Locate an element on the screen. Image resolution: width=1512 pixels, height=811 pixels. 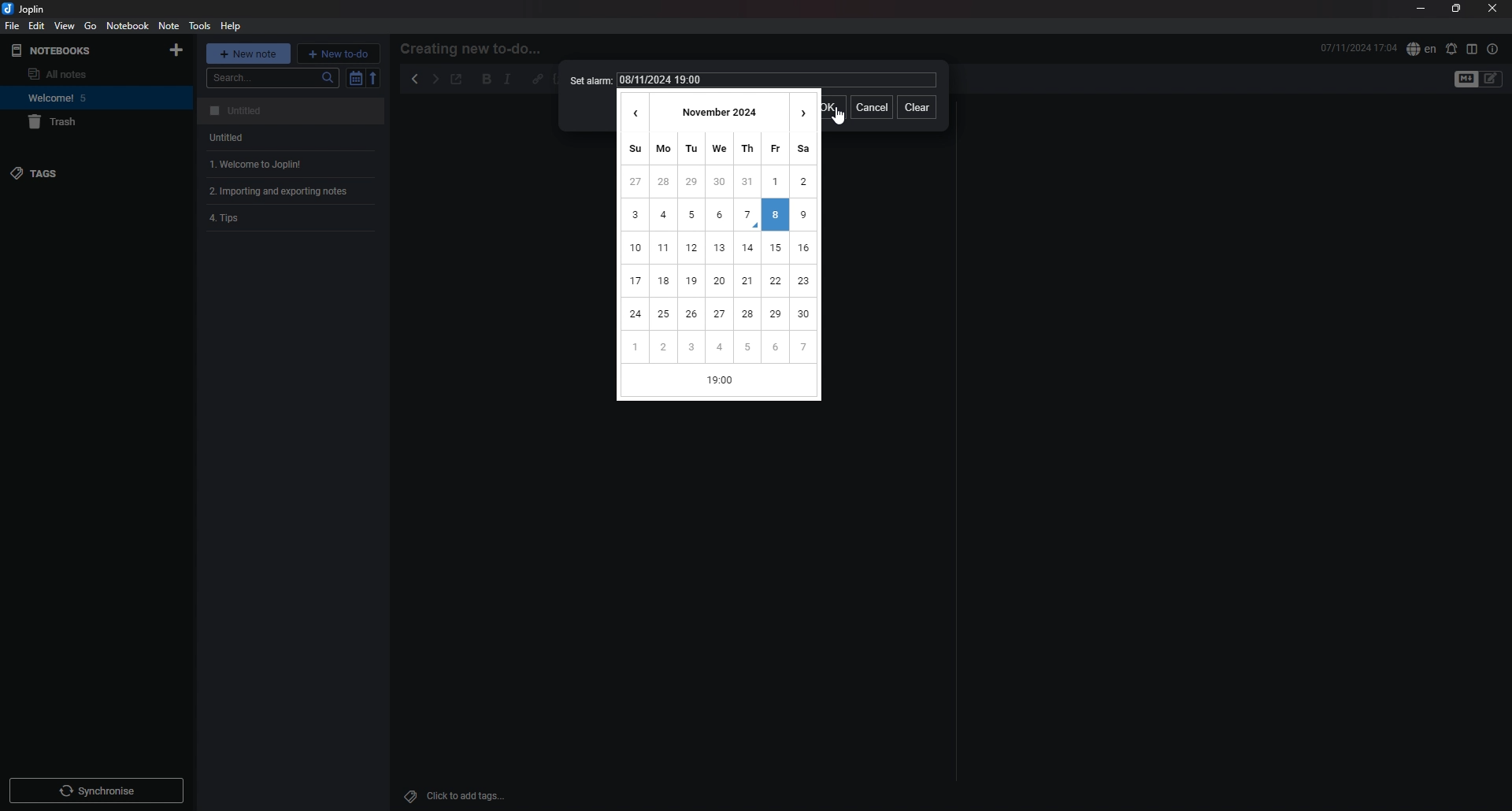
note properties is located at coordinates (1494, 50).